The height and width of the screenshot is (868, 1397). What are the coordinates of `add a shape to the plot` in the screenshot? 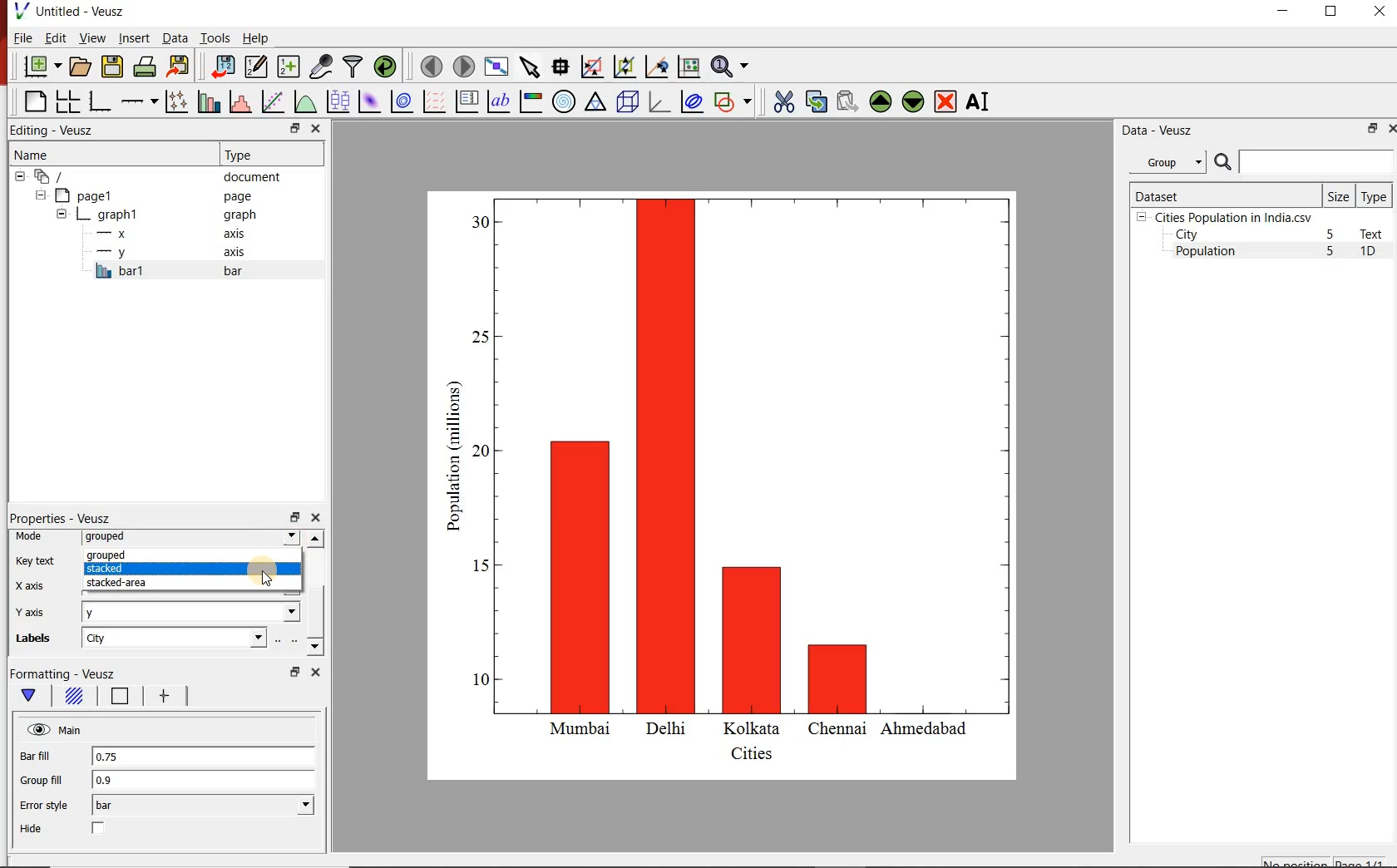 It's located at (733, 101).